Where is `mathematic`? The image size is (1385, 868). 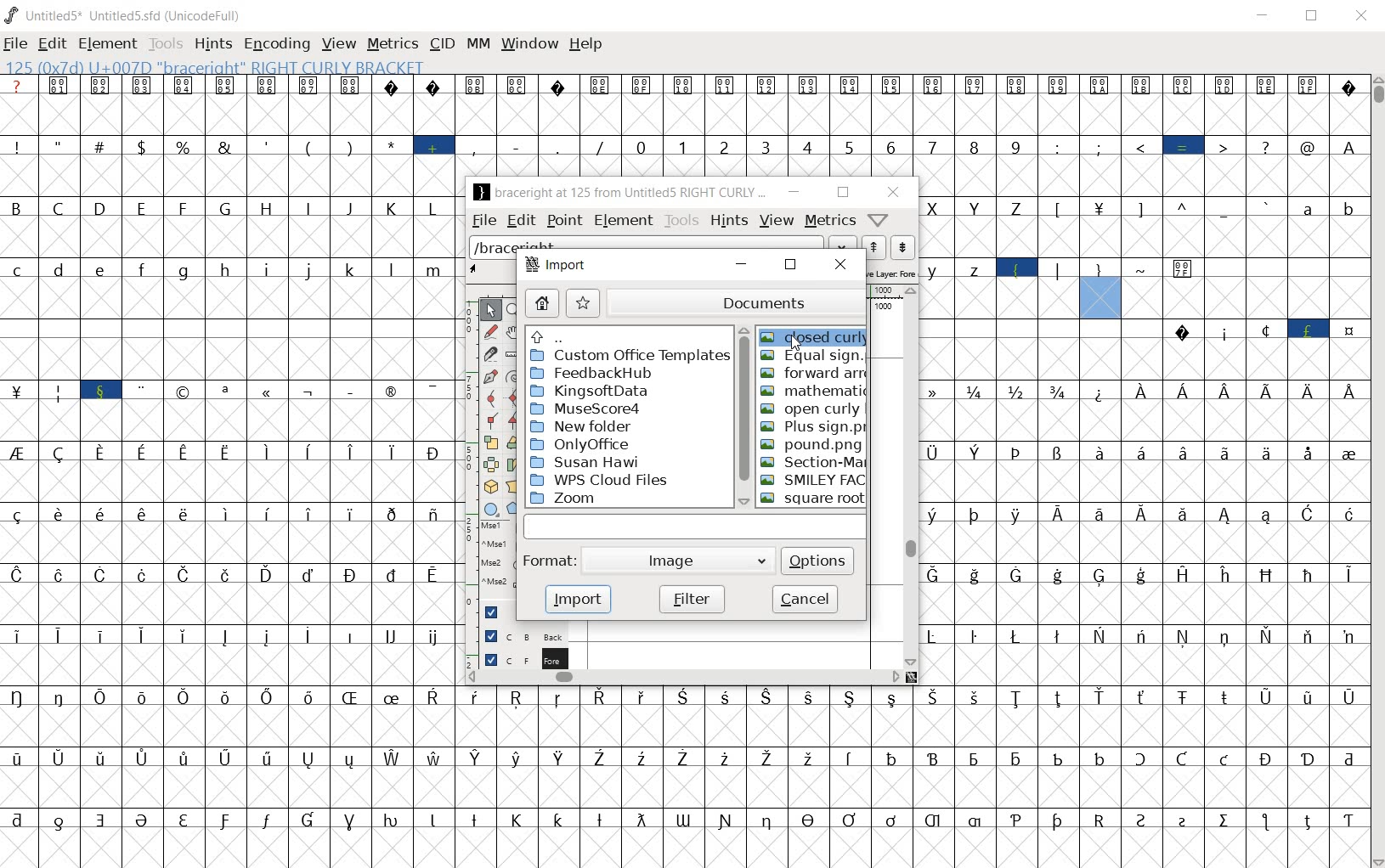 mathematic is located at coordinates (814, 392).